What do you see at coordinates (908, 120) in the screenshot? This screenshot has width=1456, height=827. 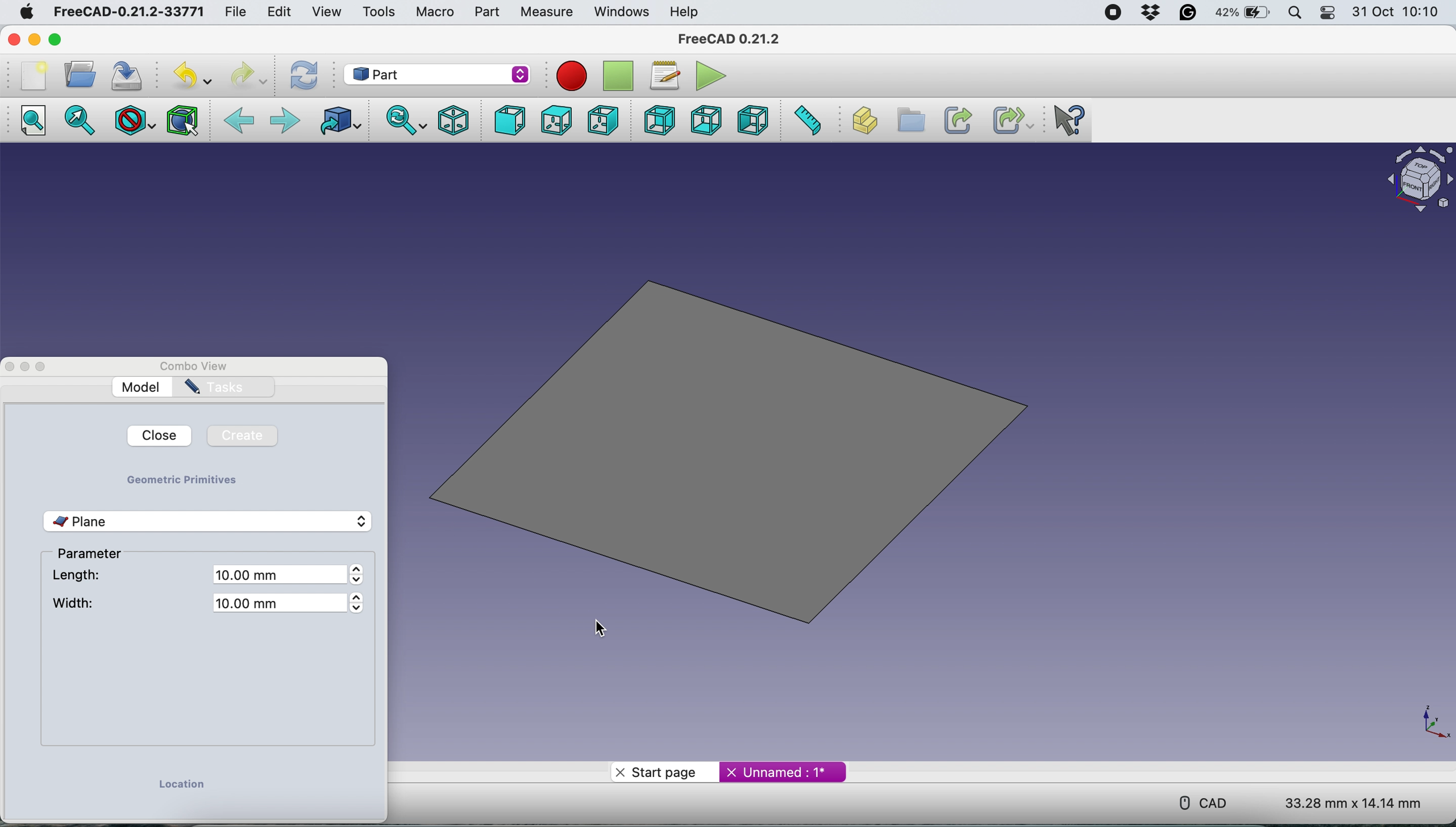 I see `Create group` at bounding box center [908, 120].